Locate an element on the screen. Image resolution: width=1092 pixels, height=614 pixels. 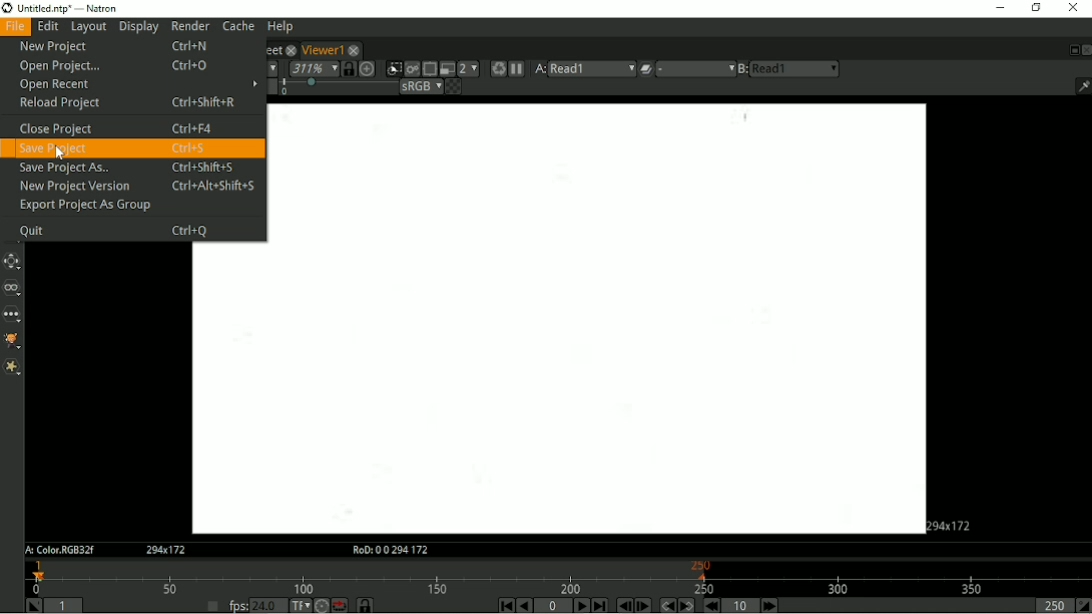
Behaviour is located at coordinates (340, 605).